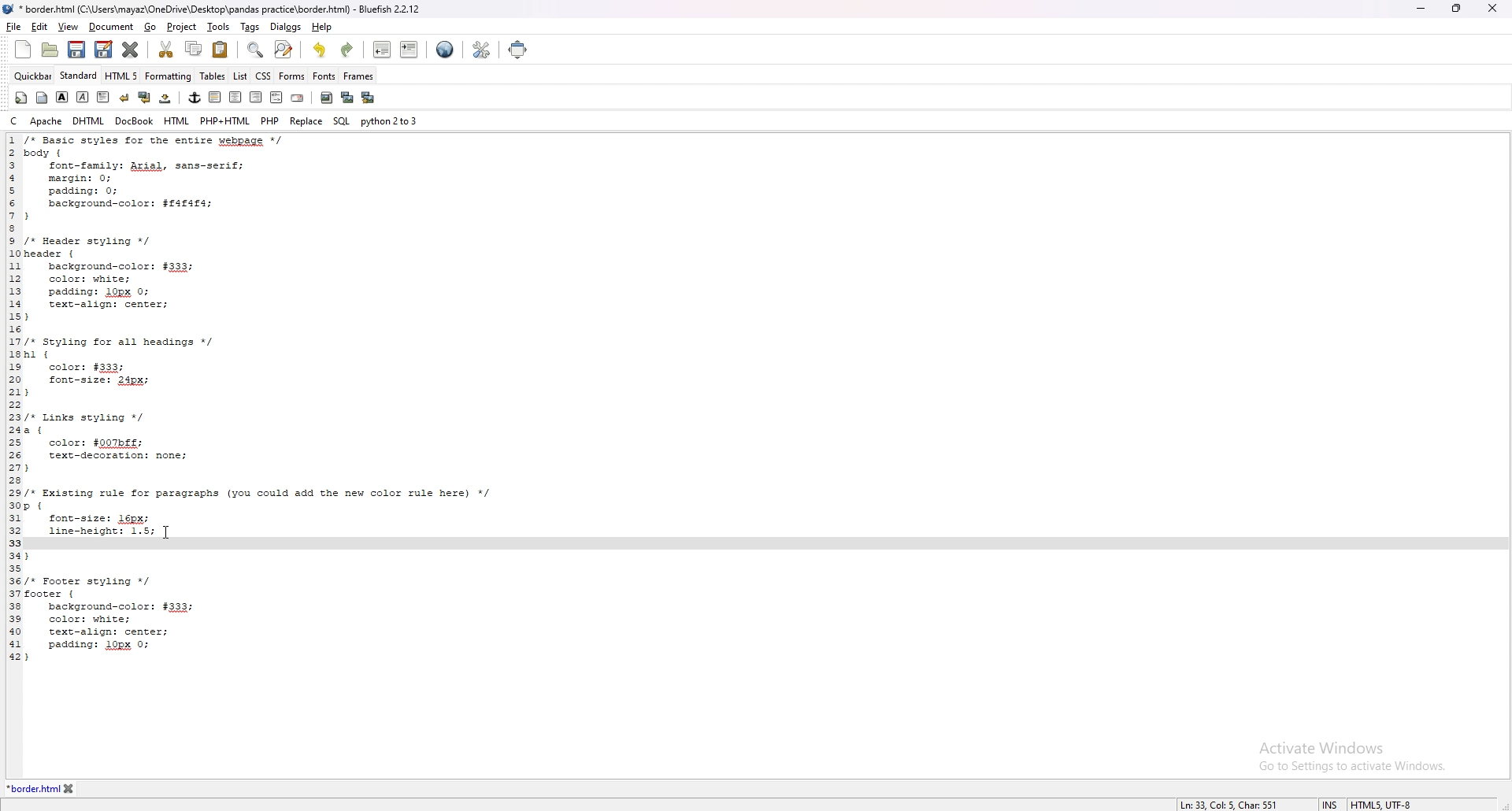  I want to click on anchor, so click(195, 98).